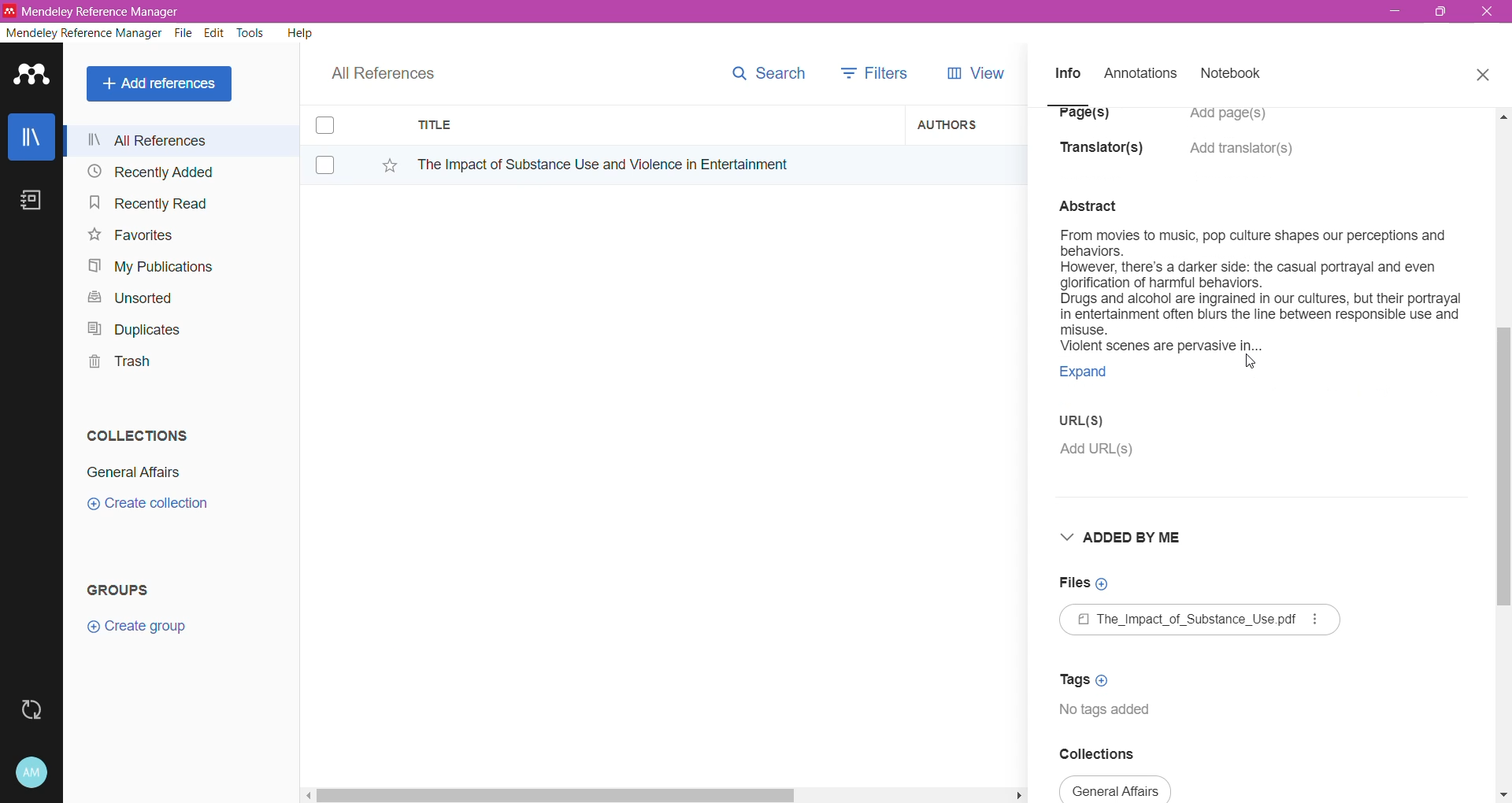  What do you see at coordinates (183, 34) in the screenshot?
I see `File` at bounding box center [183, 34].